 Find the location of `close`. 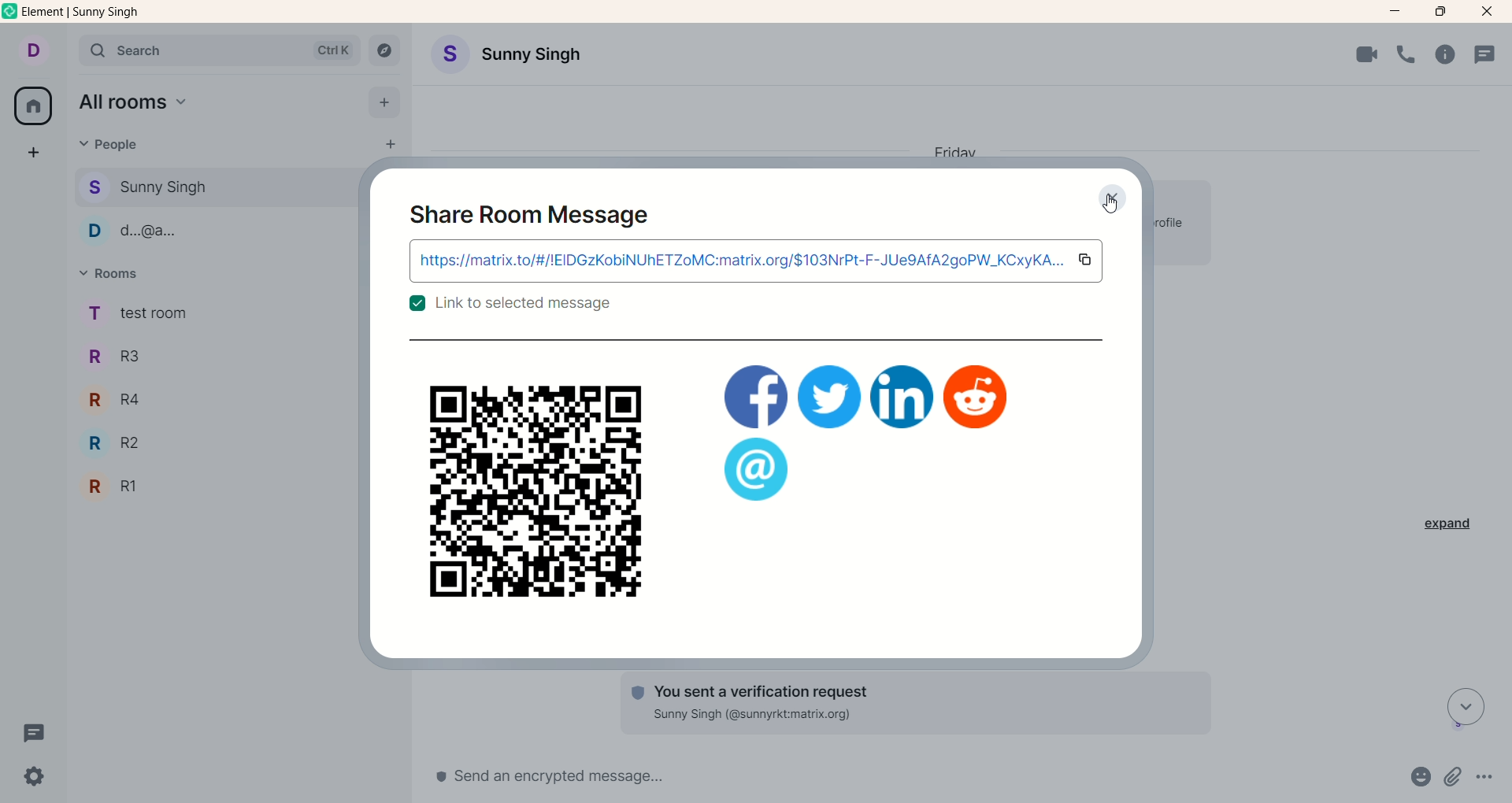

close is located at coordinates (1489, 12).